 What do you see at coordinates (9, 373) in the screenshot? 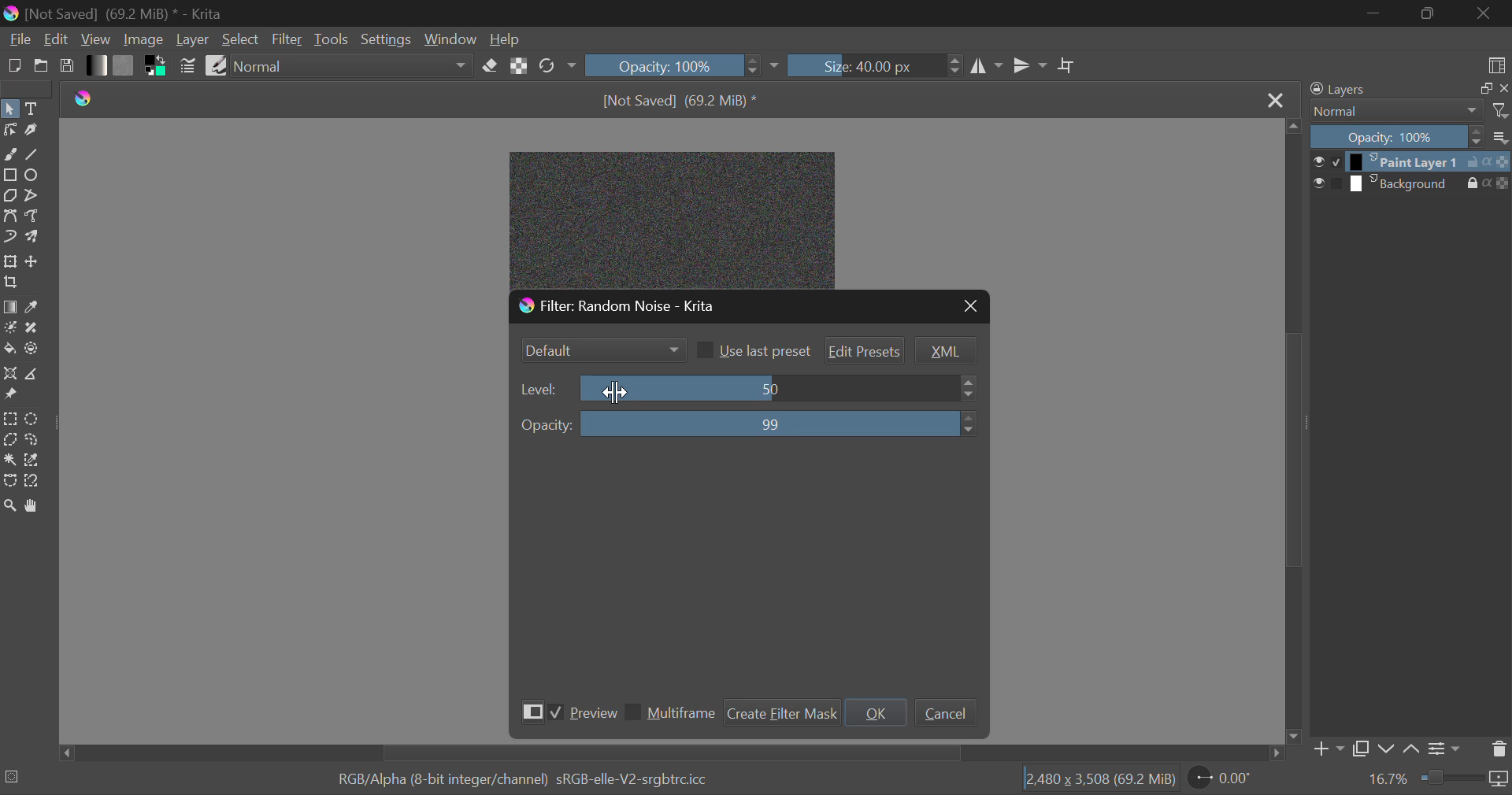
I see `Assistant Tool` at bounding box center [9, 373].